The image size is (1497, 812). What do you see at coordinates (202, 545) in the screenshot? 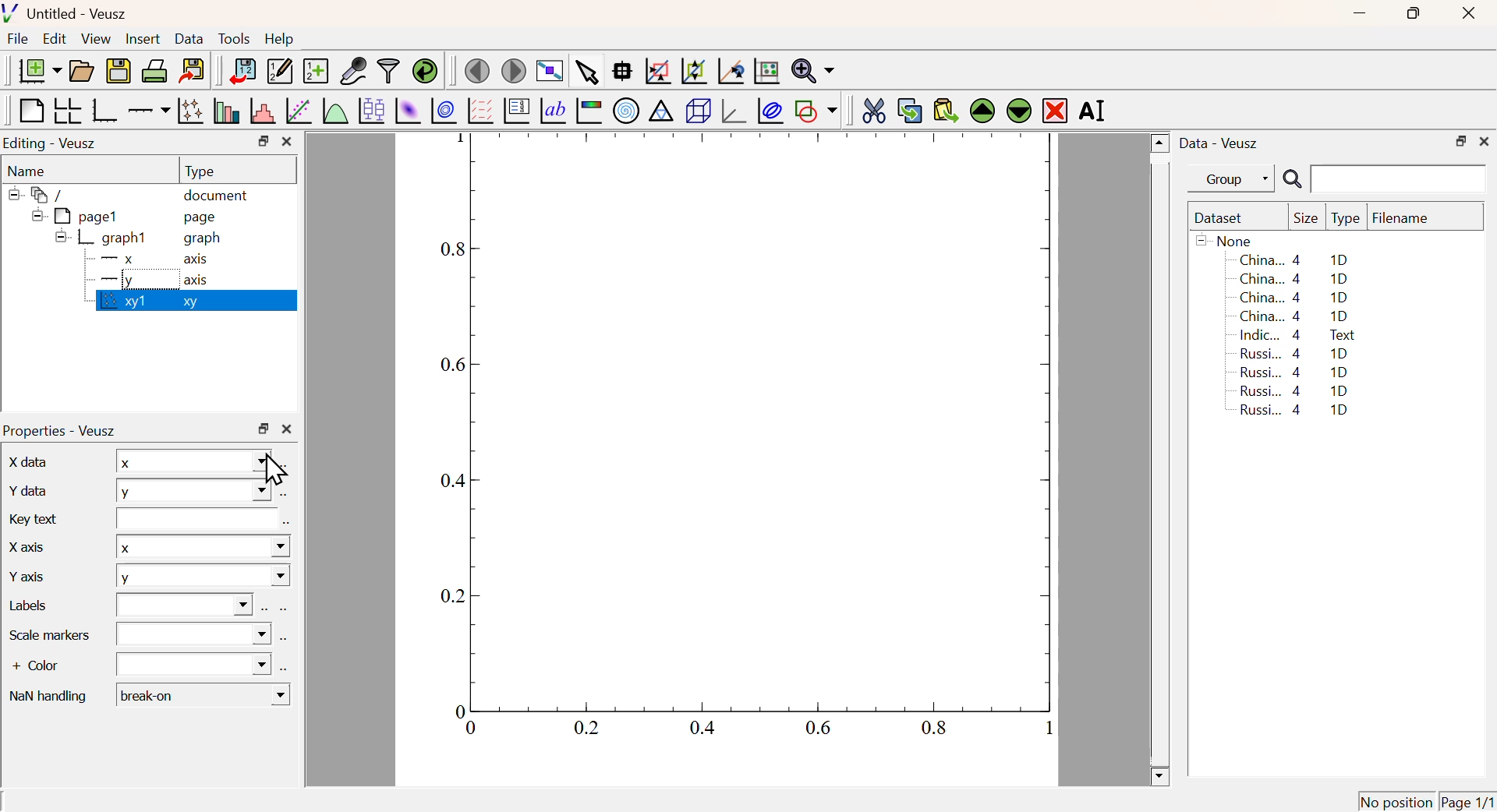
I see `X` at bounding box center [202, 545].